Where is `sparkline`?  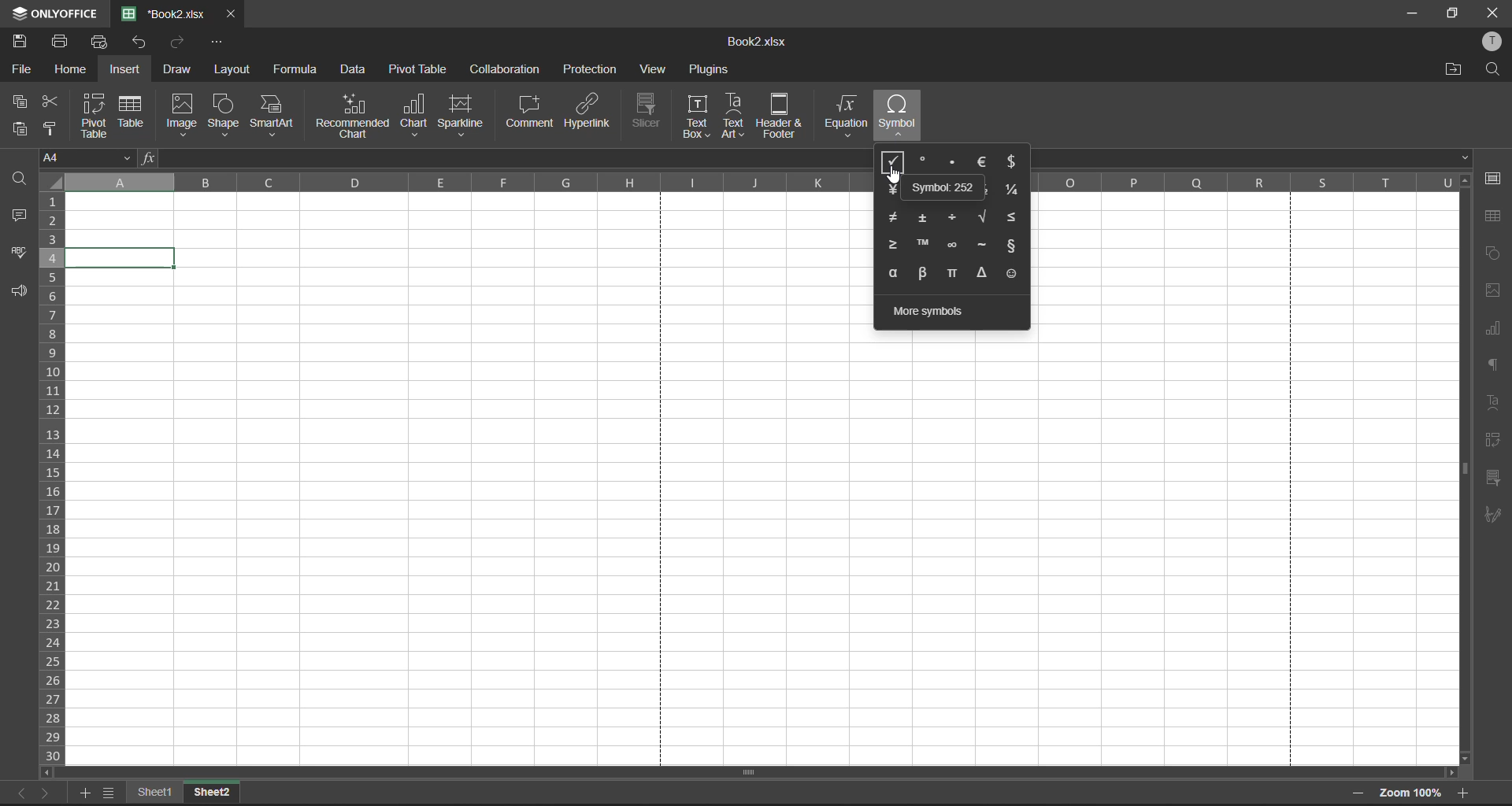
sparkline is located at coordinates (458, 115).